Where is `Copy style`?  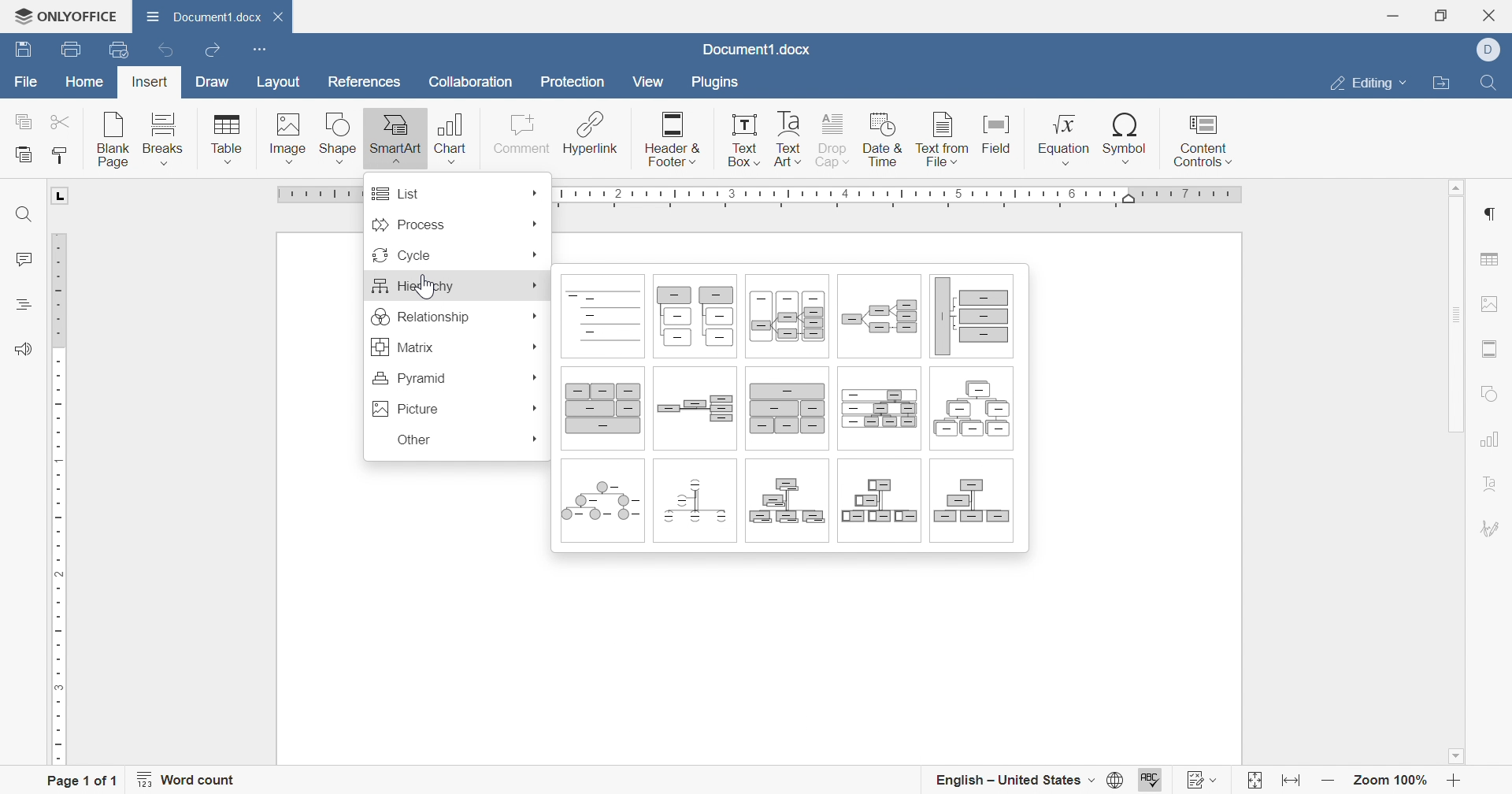
Copy style is located at coordinates (62, 156).